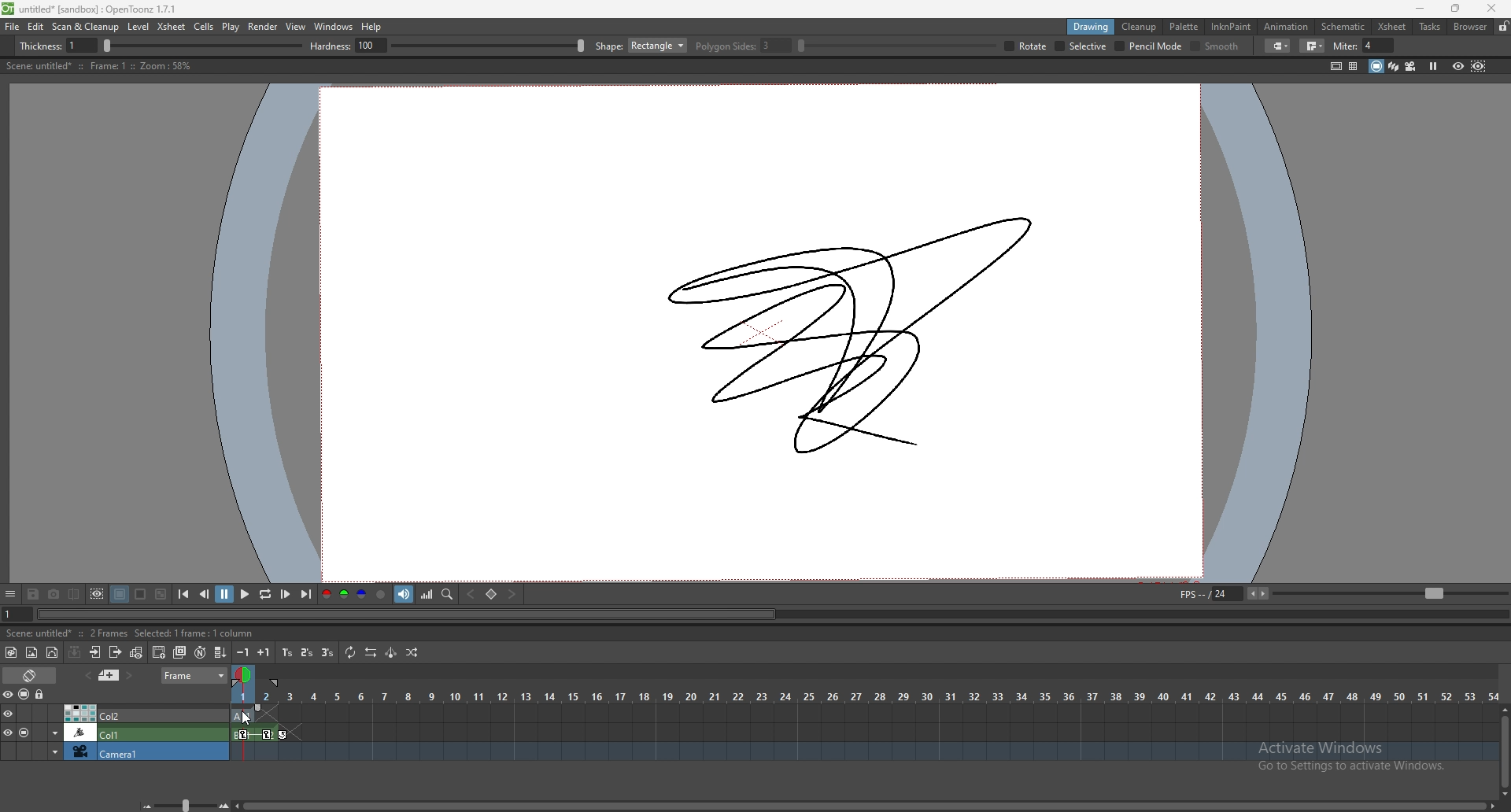 The width and height of the screenshot is (1511, 812). What do you see at coordinates (130, 632) in the screenshot?
I see `description` at bounding box center [130, 632].